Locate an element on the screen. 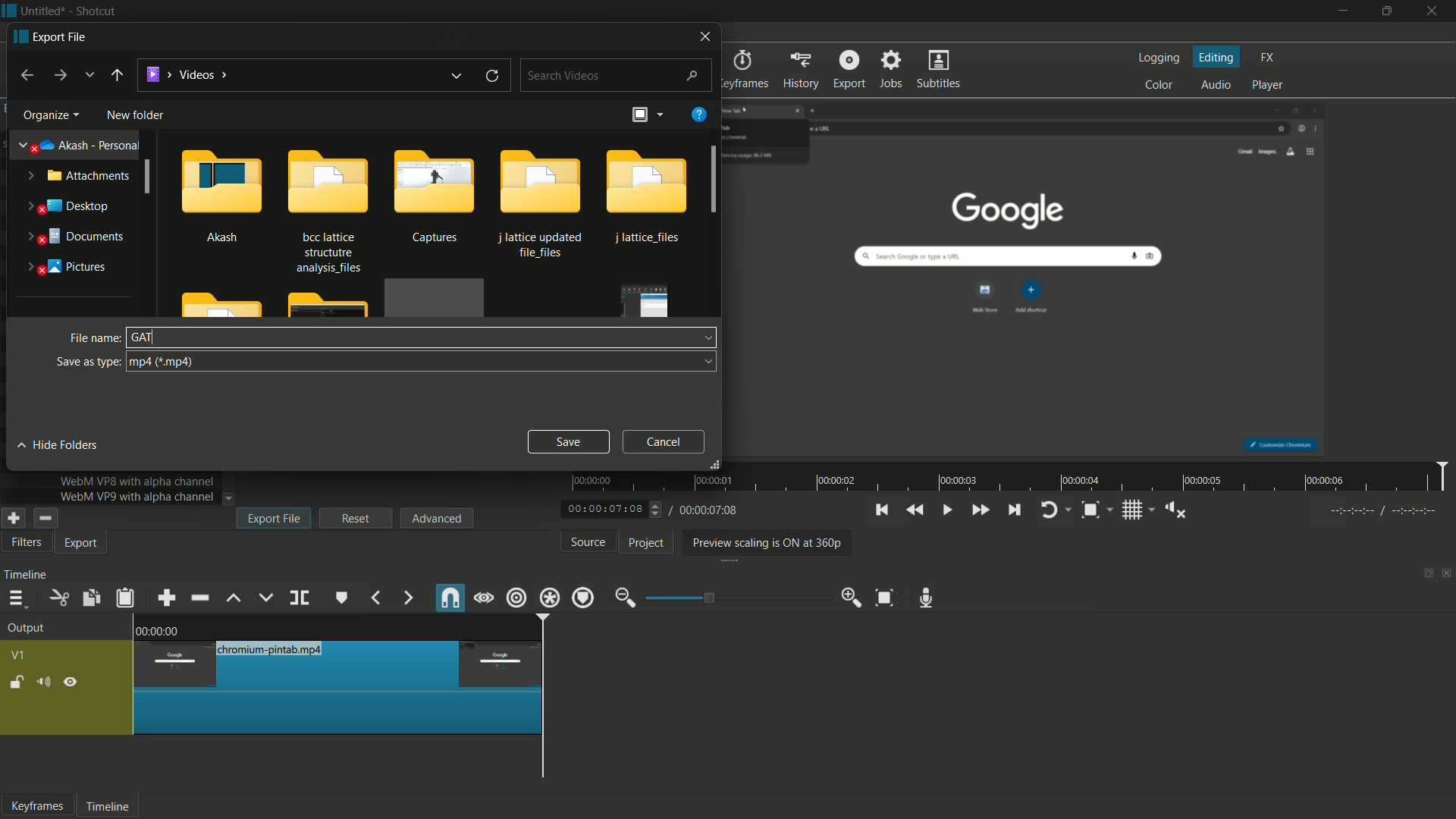  mute is located at coordinates (42, 684).